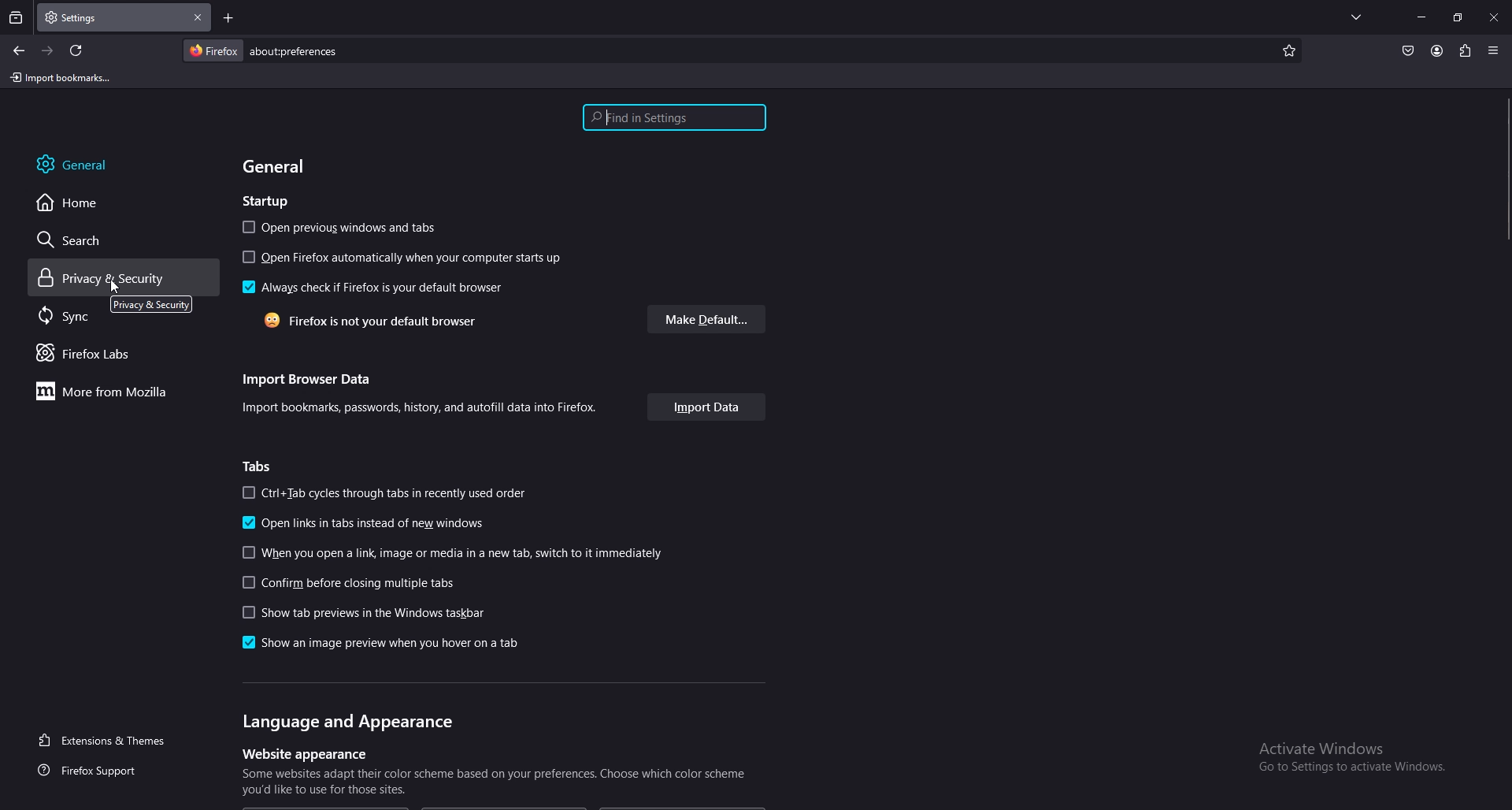 This screenshot has height=810, width=1512. I want to click on make default, so click(703, 319).